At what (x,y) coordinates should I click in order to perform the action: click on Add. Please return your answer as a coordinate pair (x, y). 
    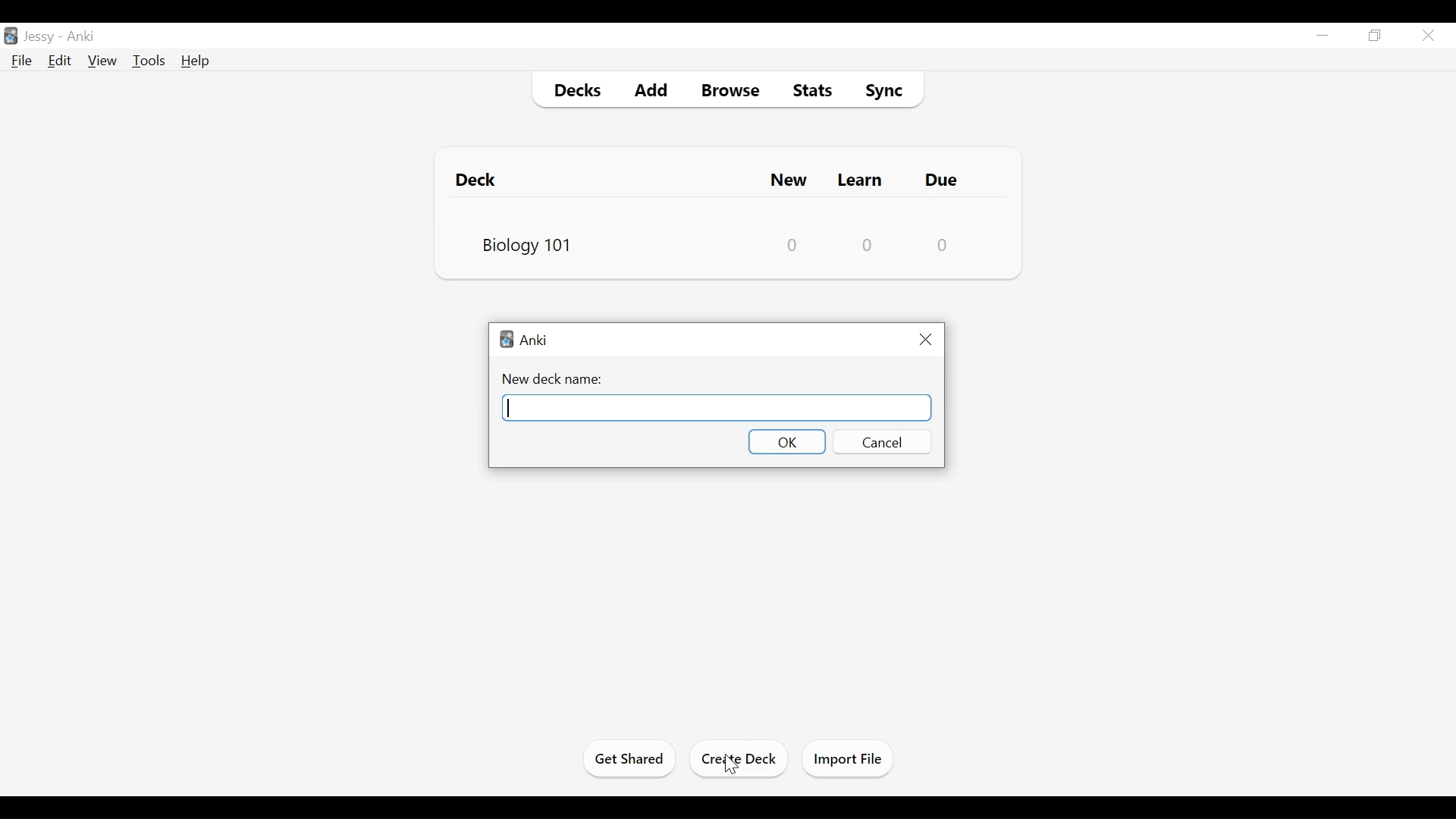
    Looking at the image, I should click on (650, 88).